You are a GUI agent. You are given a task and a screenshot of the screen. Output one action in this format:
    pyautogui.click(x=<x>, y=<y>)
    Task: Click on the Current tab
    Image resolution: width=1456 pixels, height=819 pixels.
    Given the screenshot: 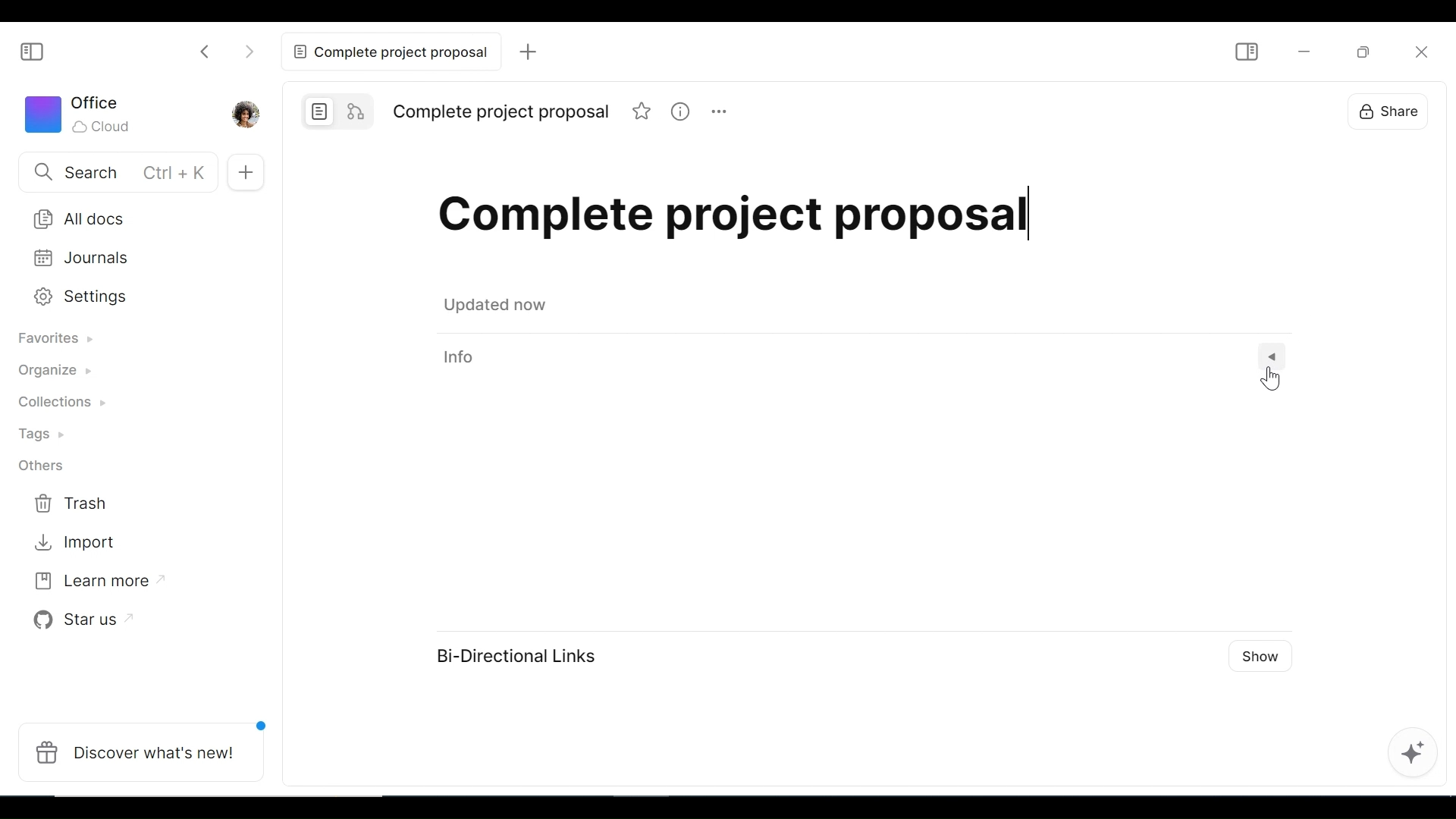 What is the action you would take?
    pyautogui.click(x=388, y=52)
    